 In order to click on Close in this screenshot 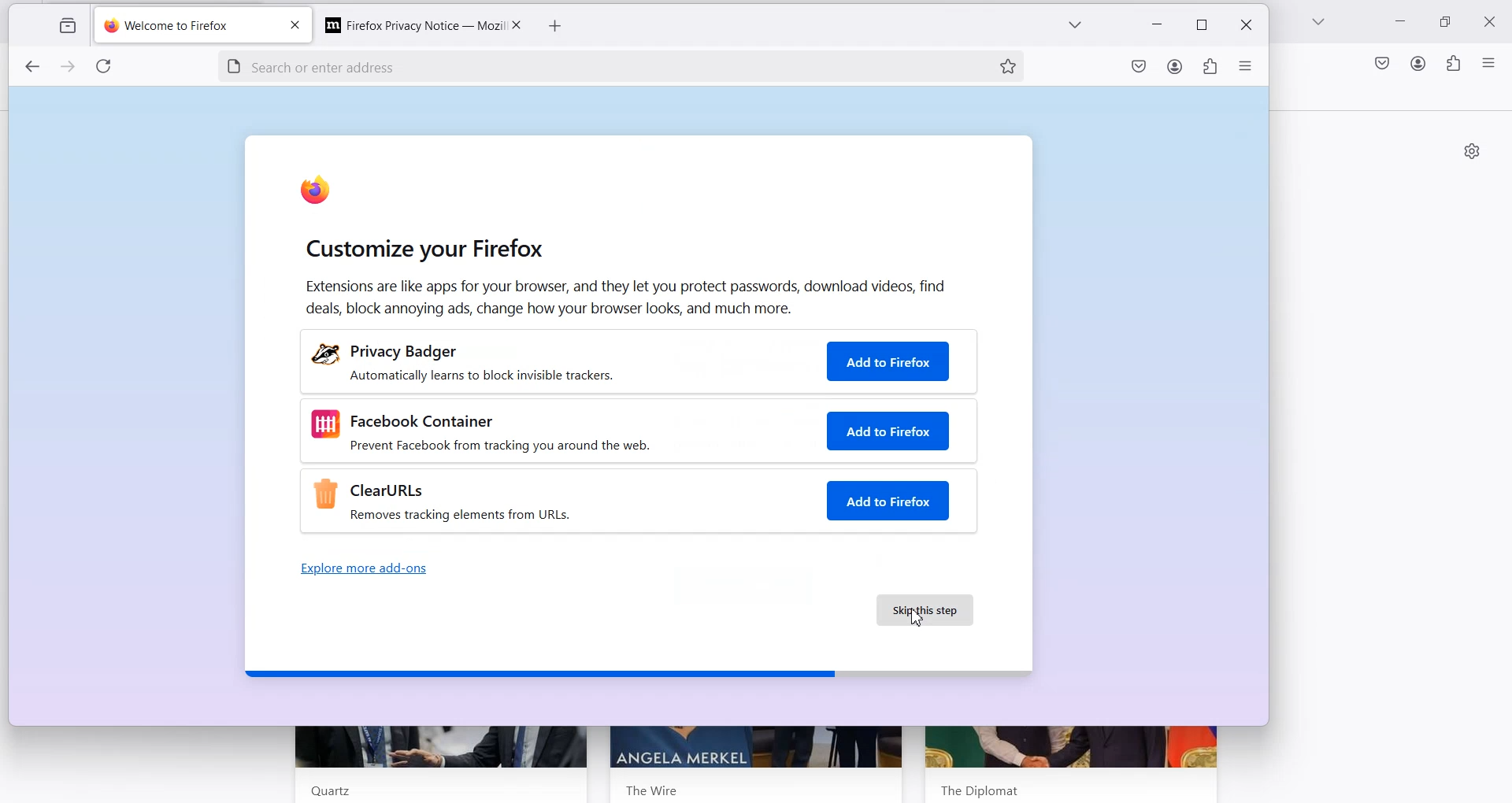, I will do `click(515, 24)`.